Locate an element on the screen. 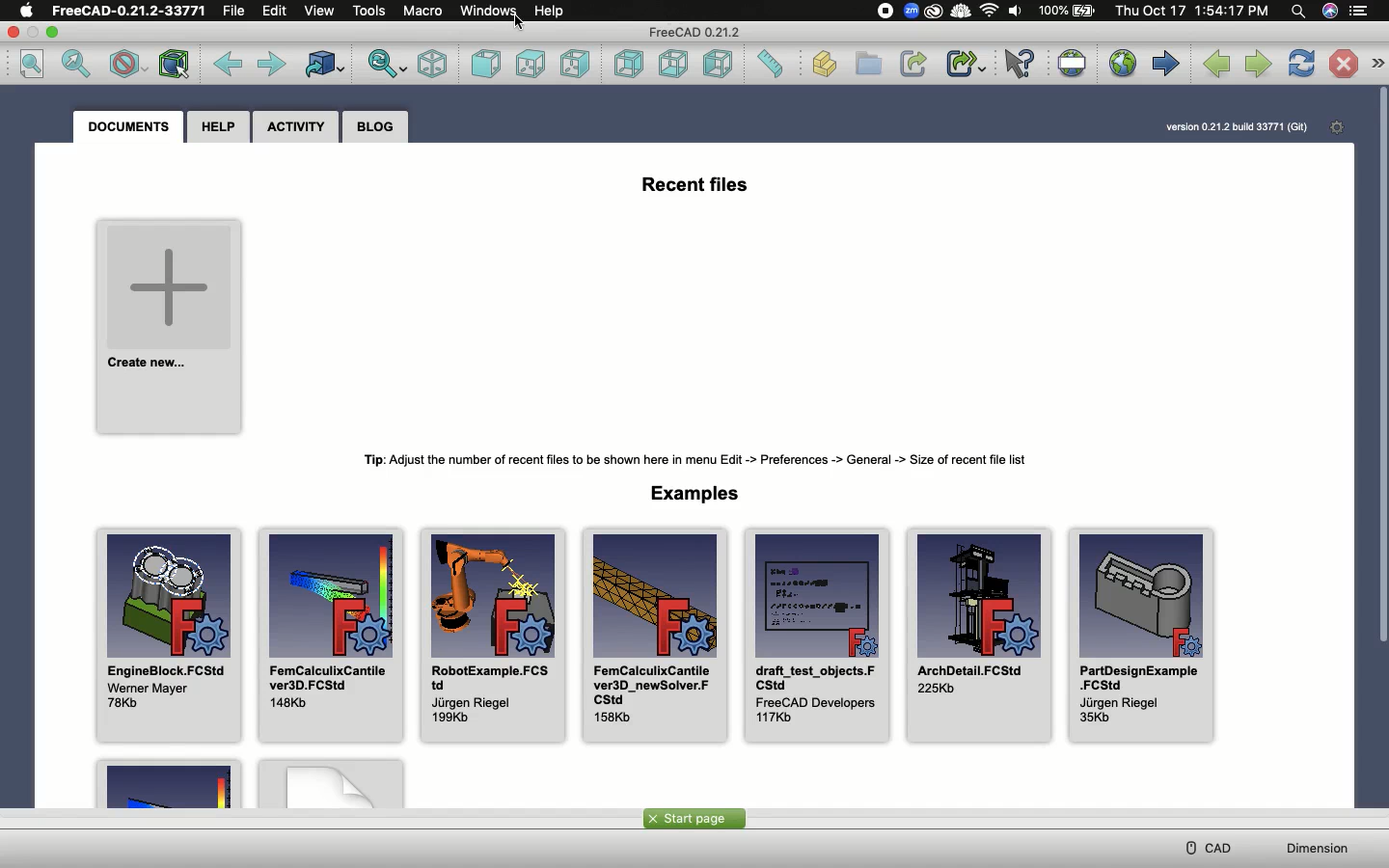  Dimension is located at coordinates (1319, 850).